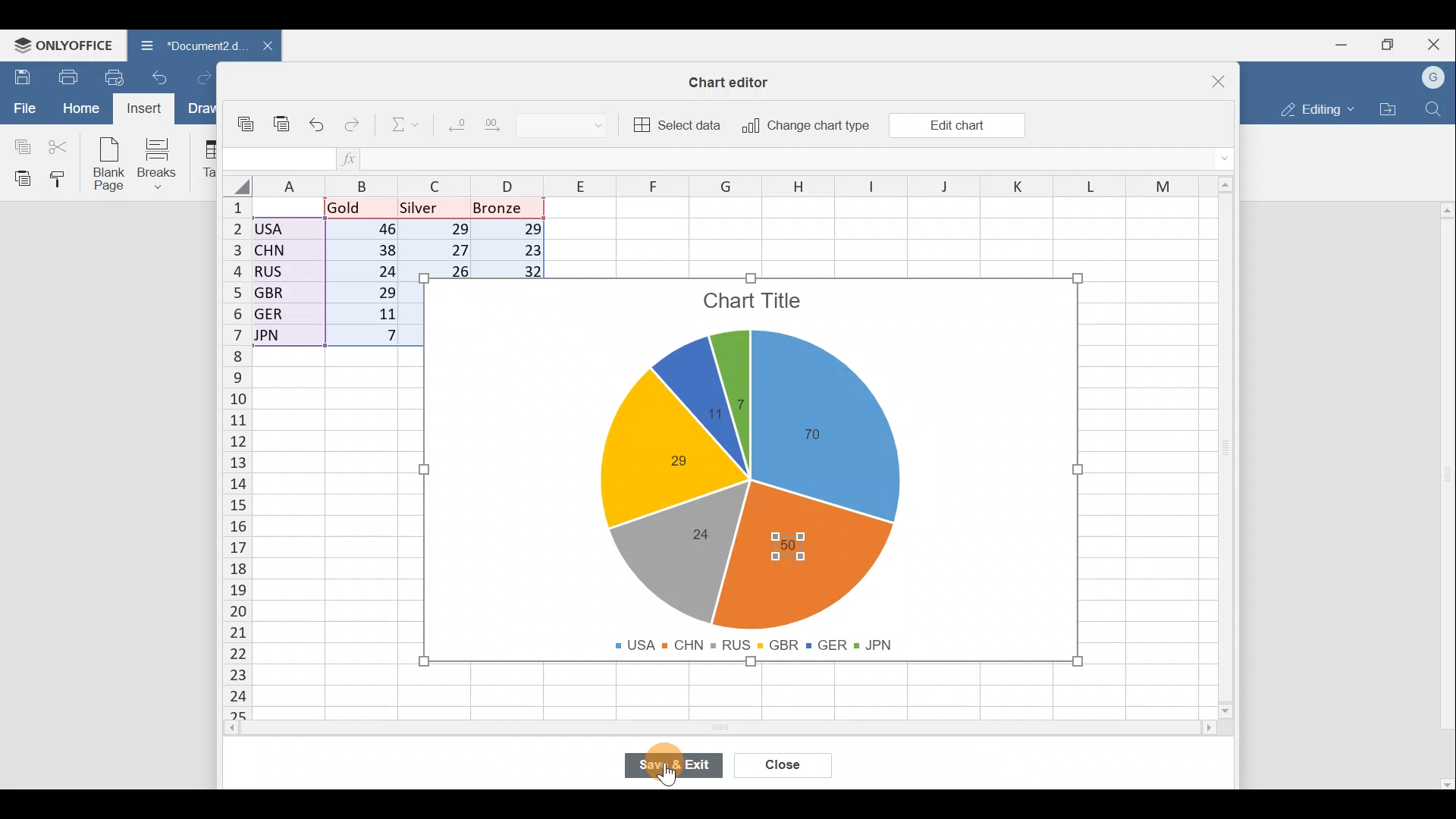 The height and width of the screenshot is (819, 1456). I want to click on Copy, so click(249, 126).